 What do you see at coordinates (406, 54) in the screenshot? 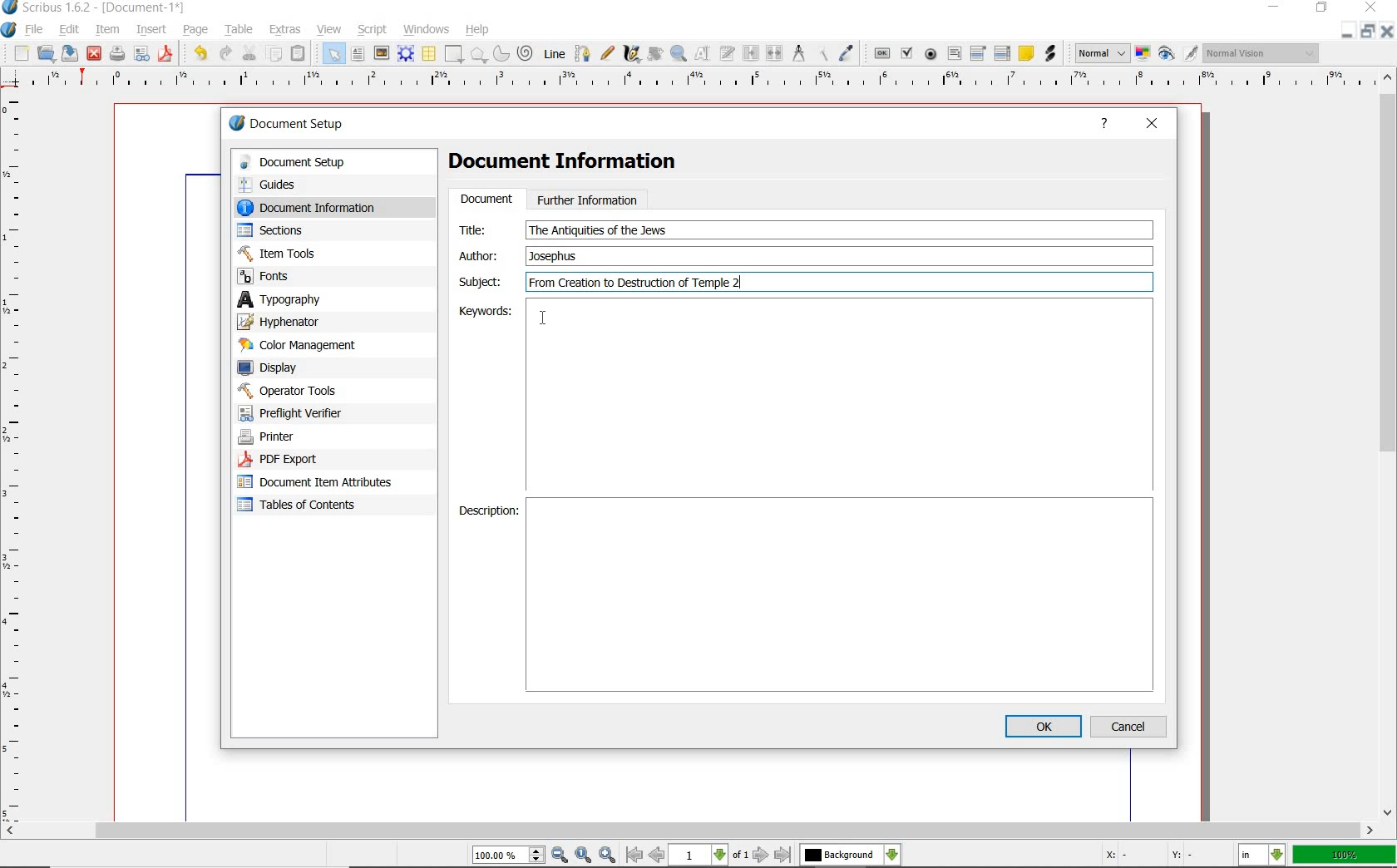
I see `render frame` at bounding box center [406, 54].